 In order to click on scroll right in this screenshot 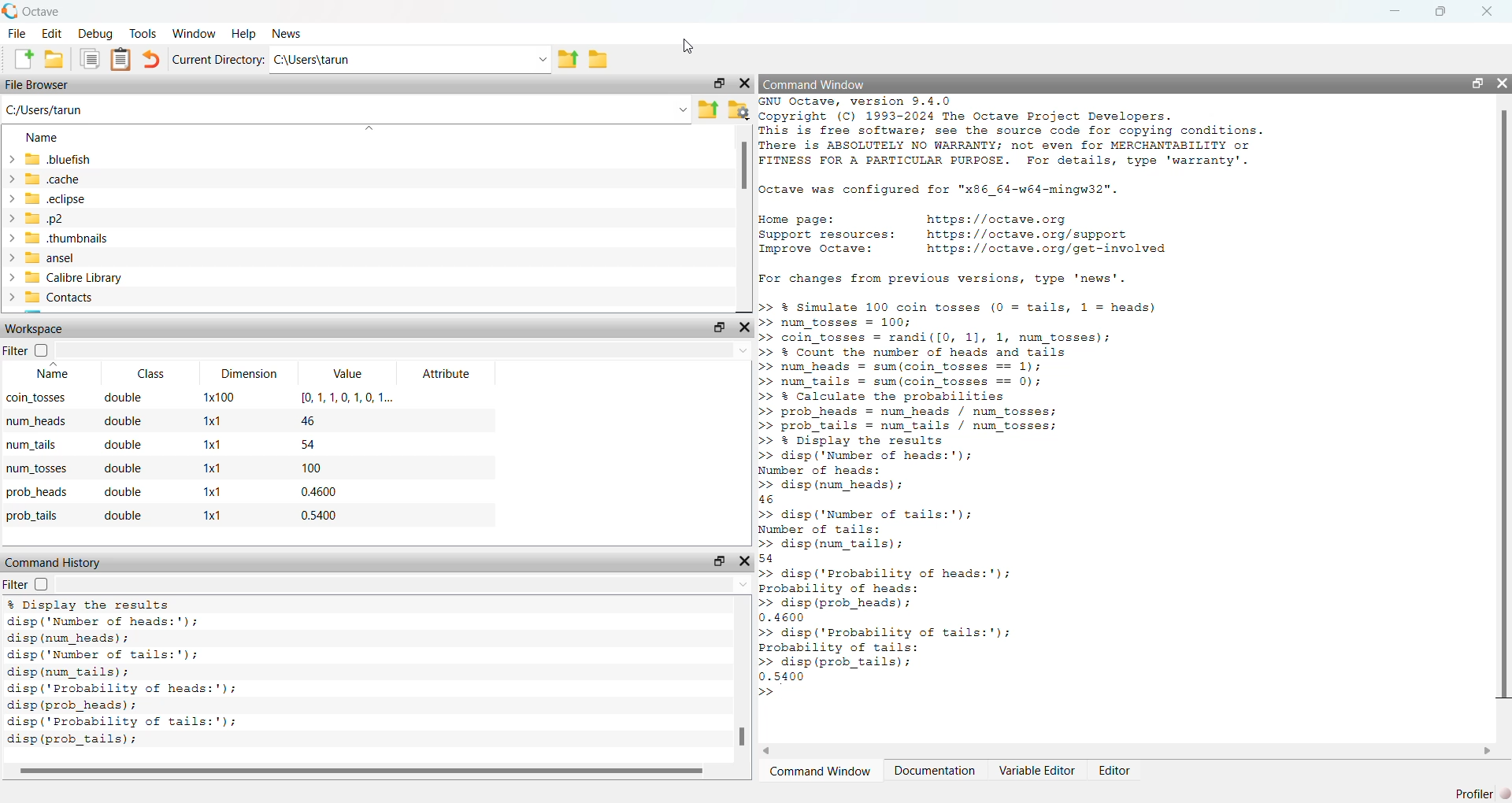, I will do `click(1488, 751)`.